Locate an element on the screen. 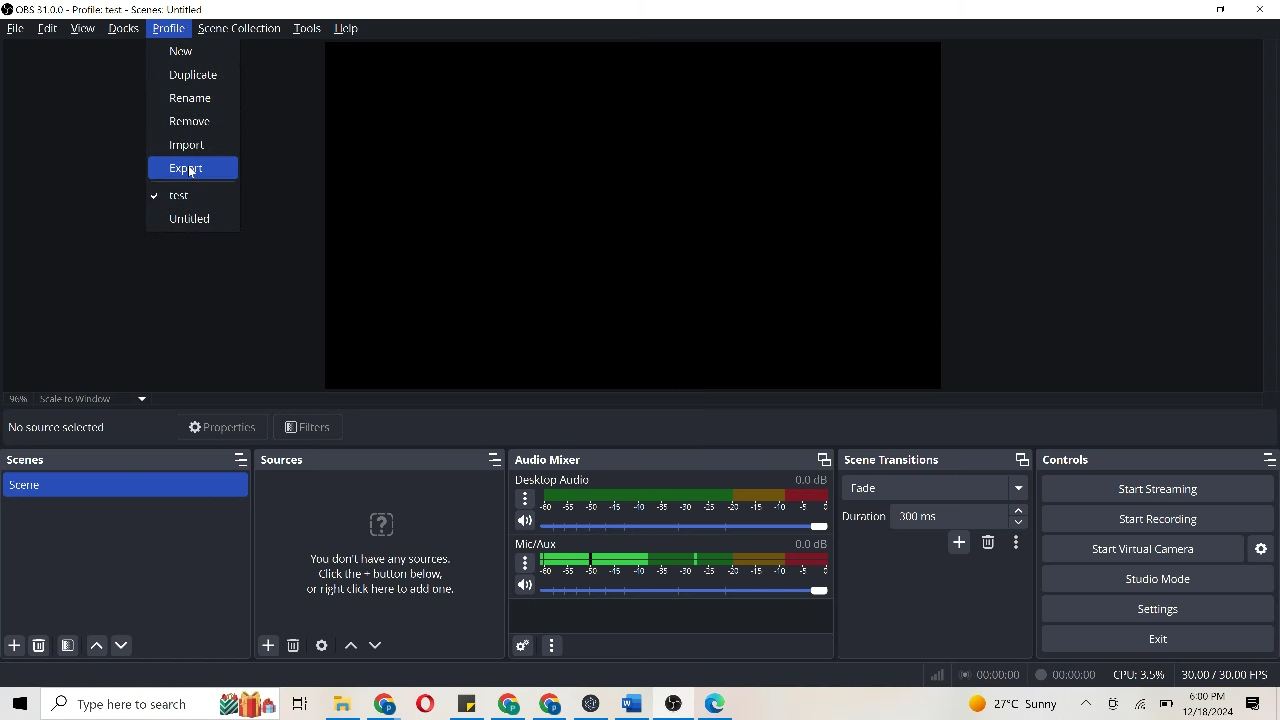  OBS 31.0.0-profile:test is located at coordinates (117, 9).